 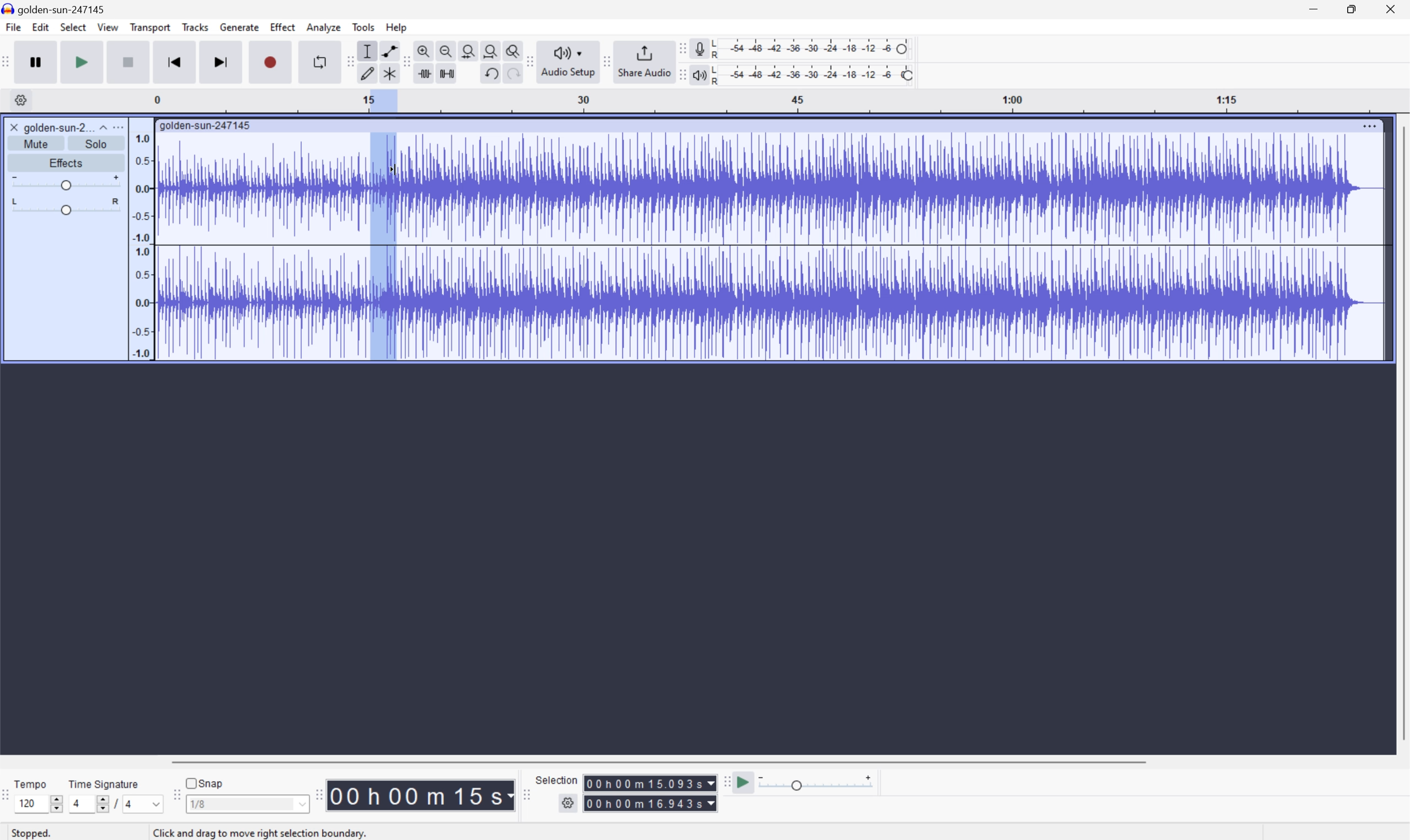 I want to click on Effects, so click(x=66, y=162).